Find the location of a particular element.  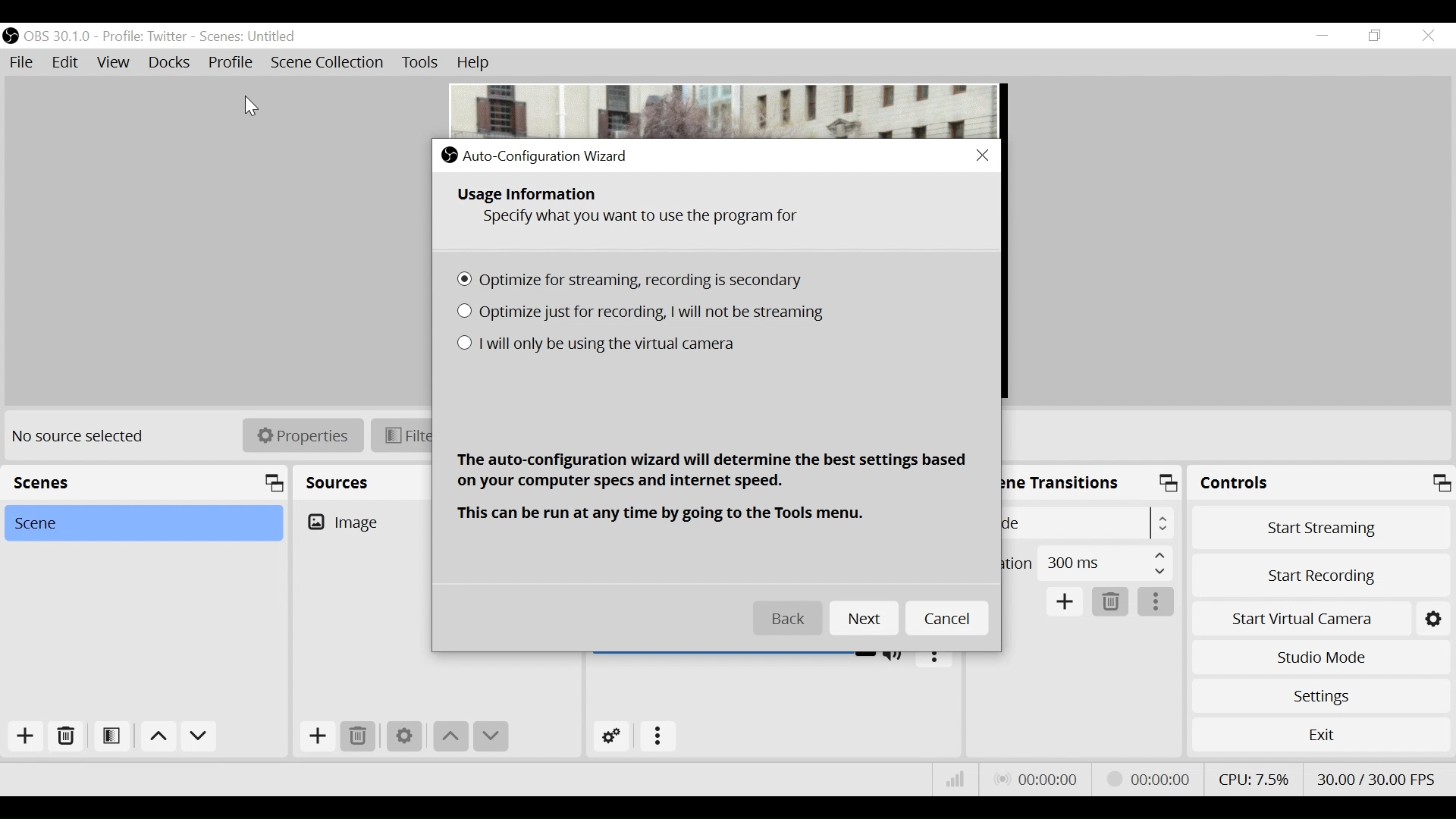

Controls Panel is located at coordinates (1323, 483).